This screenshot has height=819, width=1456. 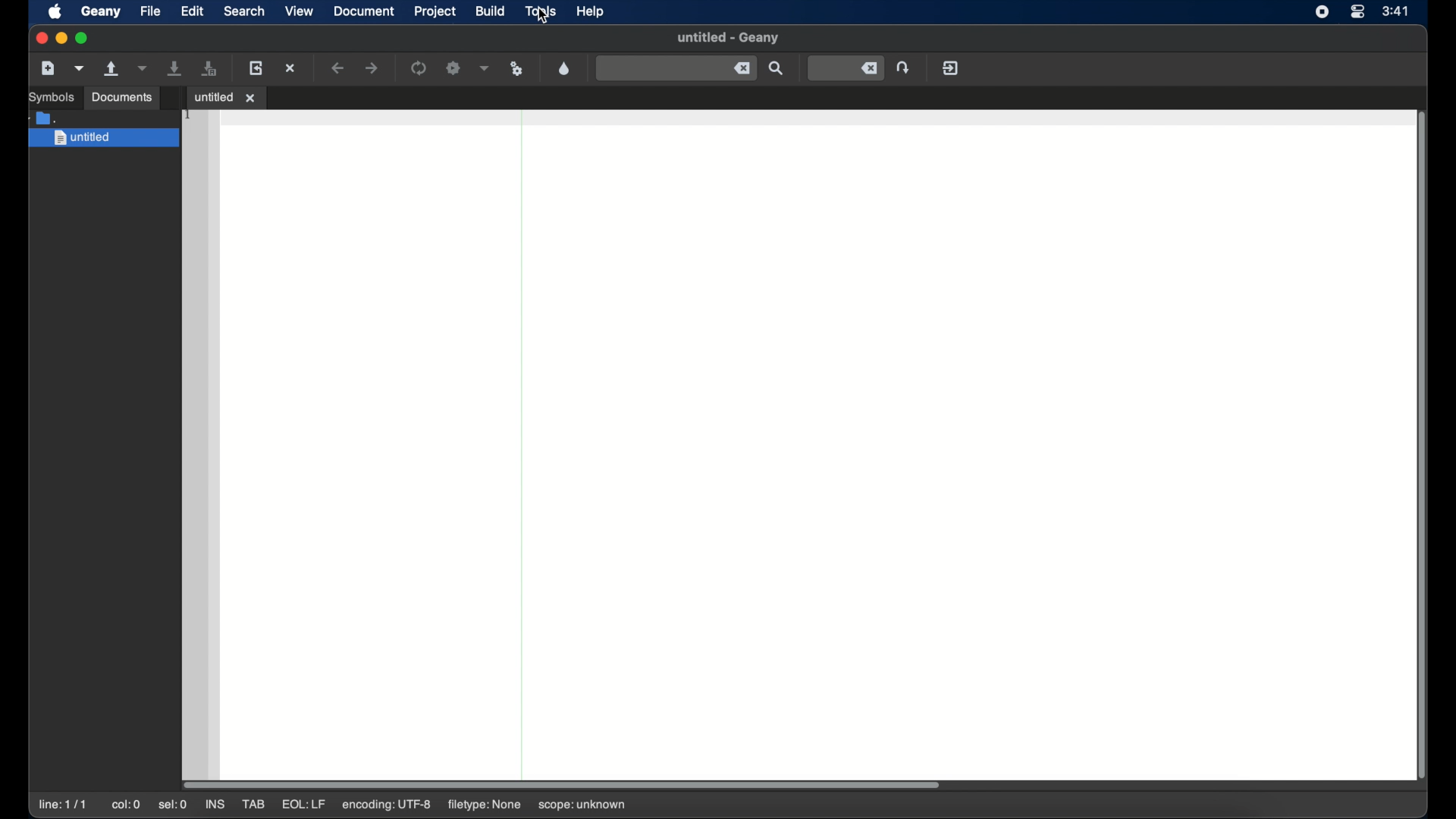 I want to click on open a recent file, so click(x=144, y=69).